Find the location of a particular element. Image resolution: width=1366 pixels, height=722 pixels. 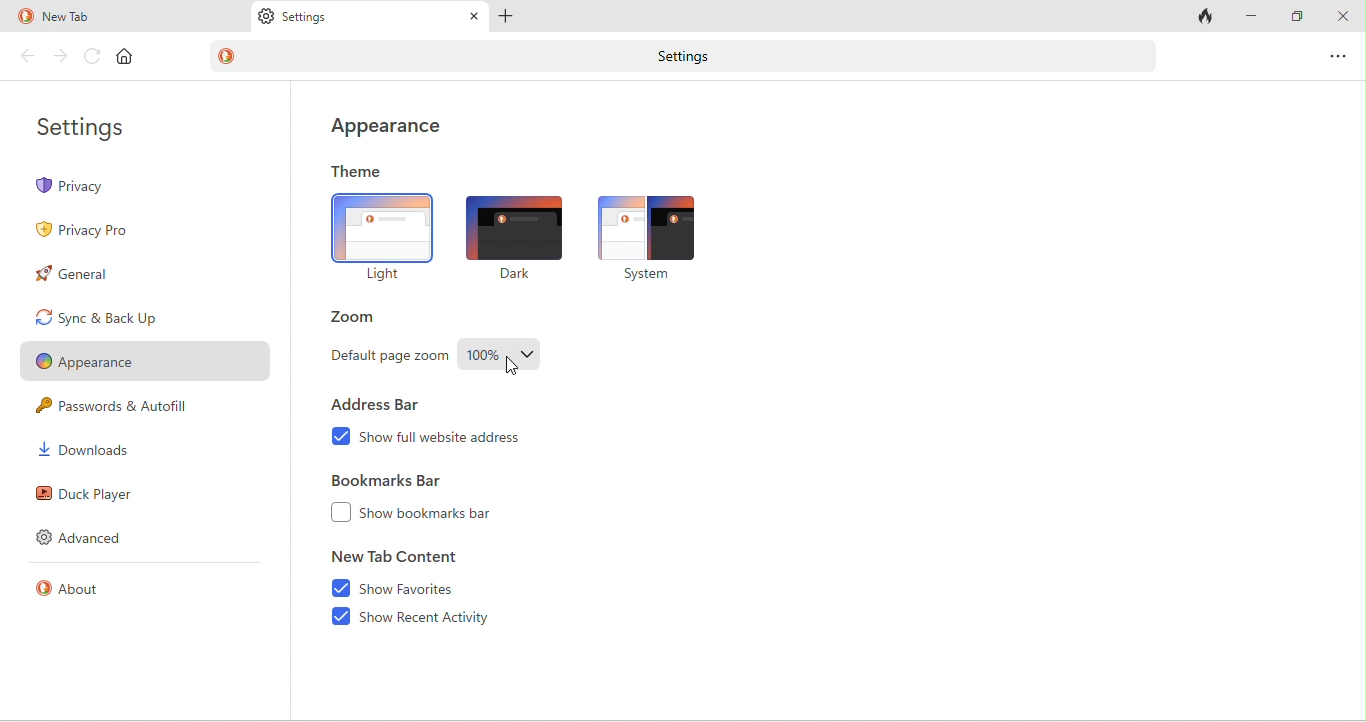

new tab content is located at coordinates (396, 555).